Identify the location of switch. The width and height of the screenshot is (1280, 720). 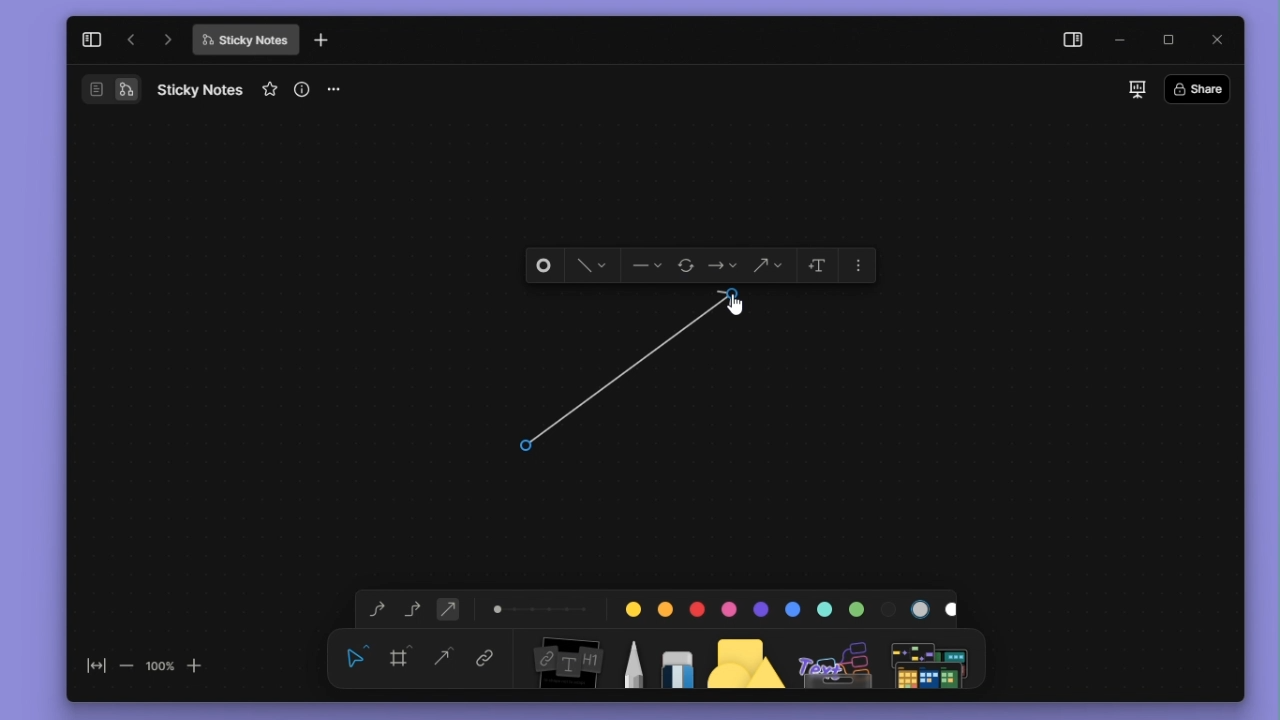
(110, 89).